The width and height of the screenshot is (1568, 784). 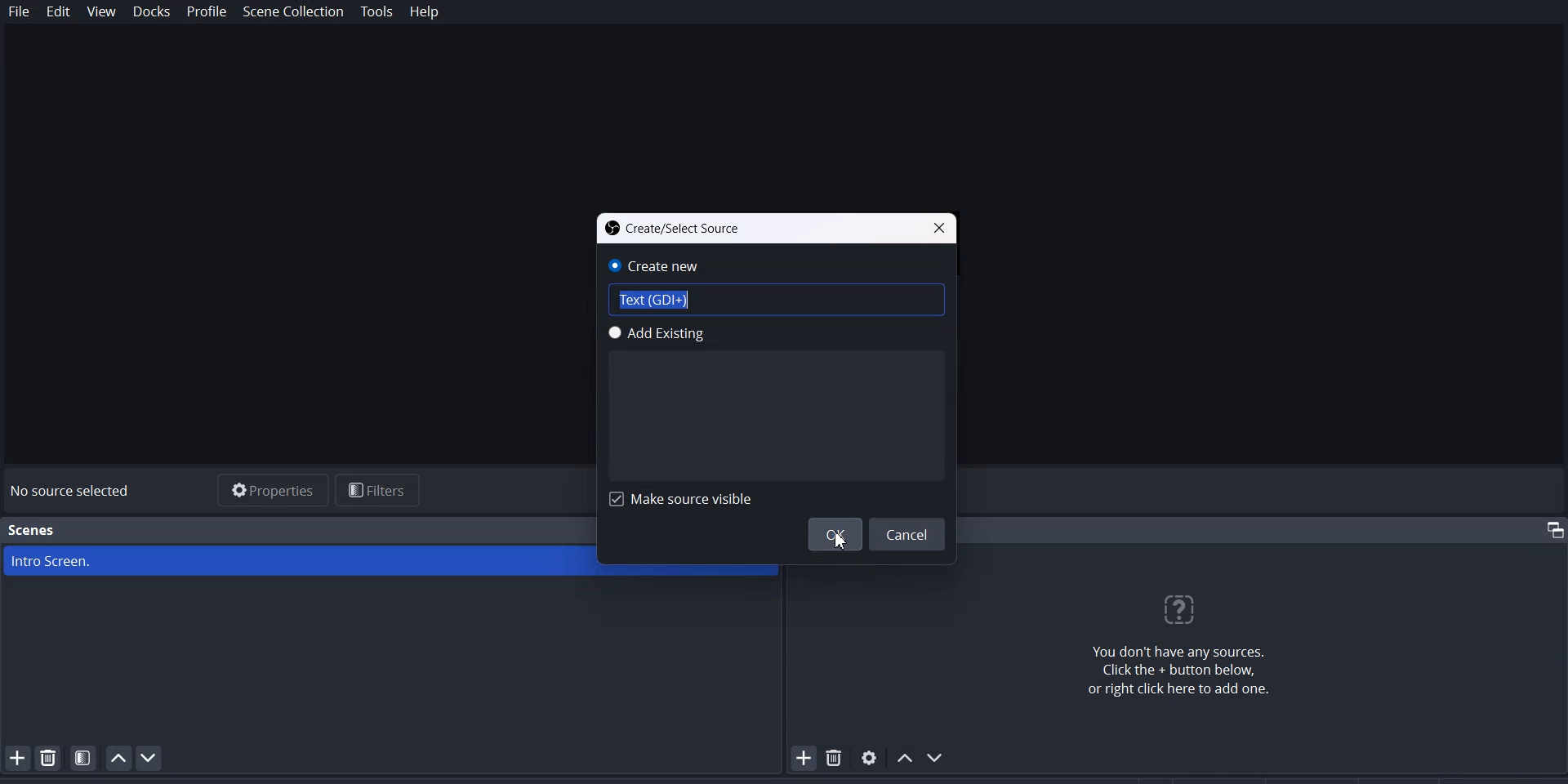 What do you see at coordinates (804, 758) in the screenshot?
I see `Add Source` at bounding box center [804, 758].